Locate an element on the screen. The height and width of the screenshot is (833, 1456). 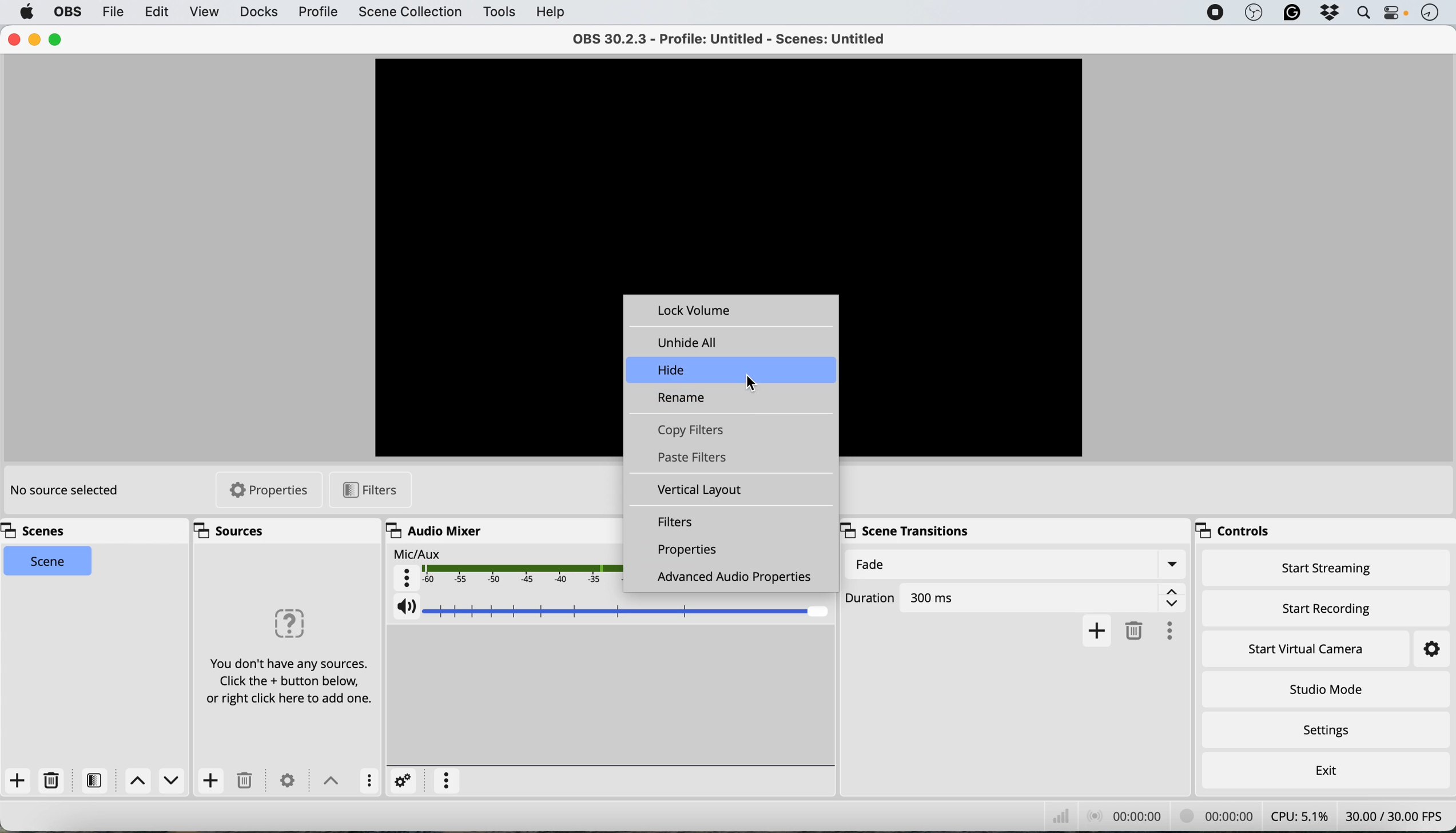
scenes is located at coordinates (37, 531).